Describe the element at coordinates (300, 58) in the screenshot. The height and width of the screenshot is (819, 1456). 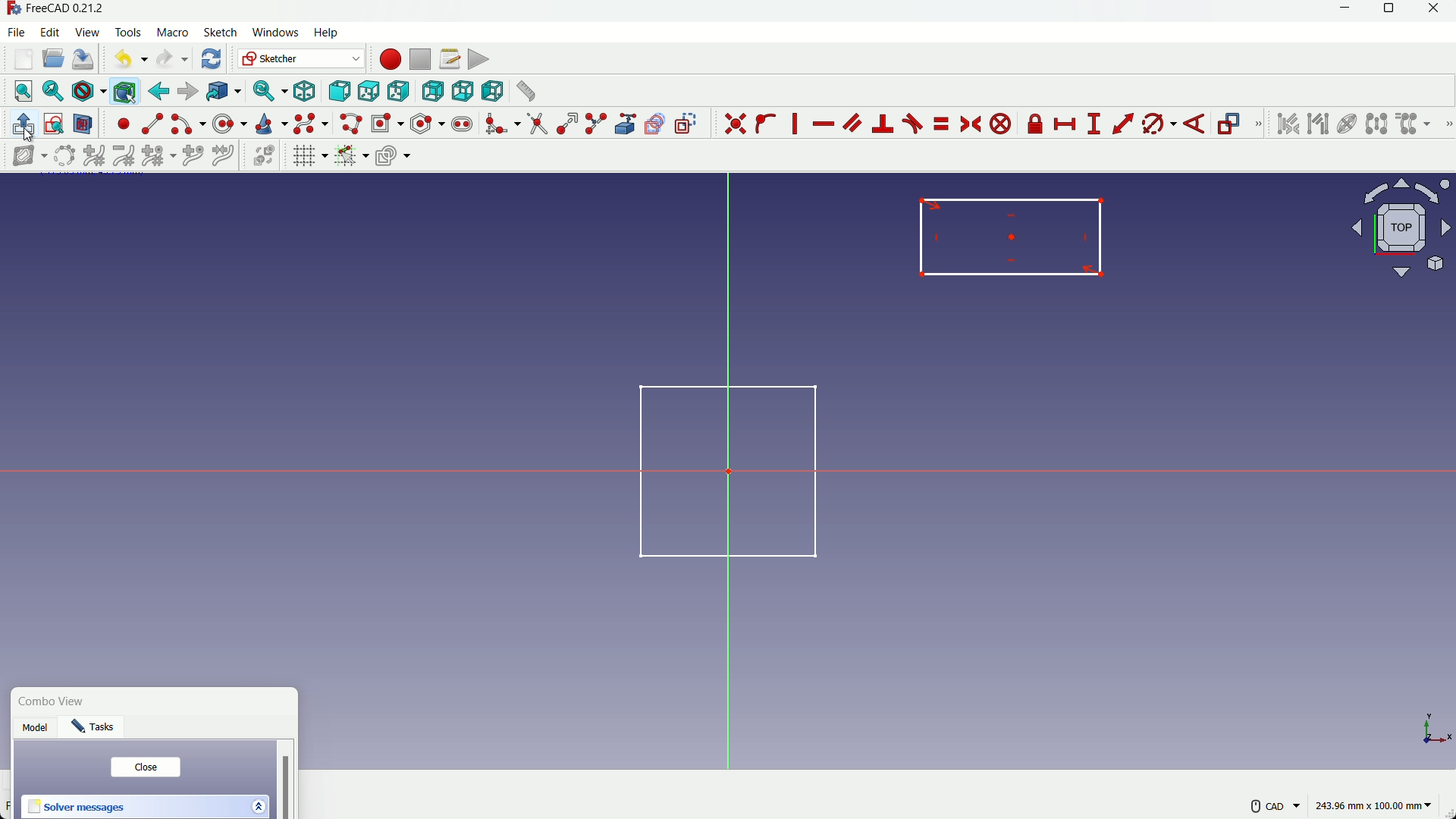
I see `switch workbenches` at that location.